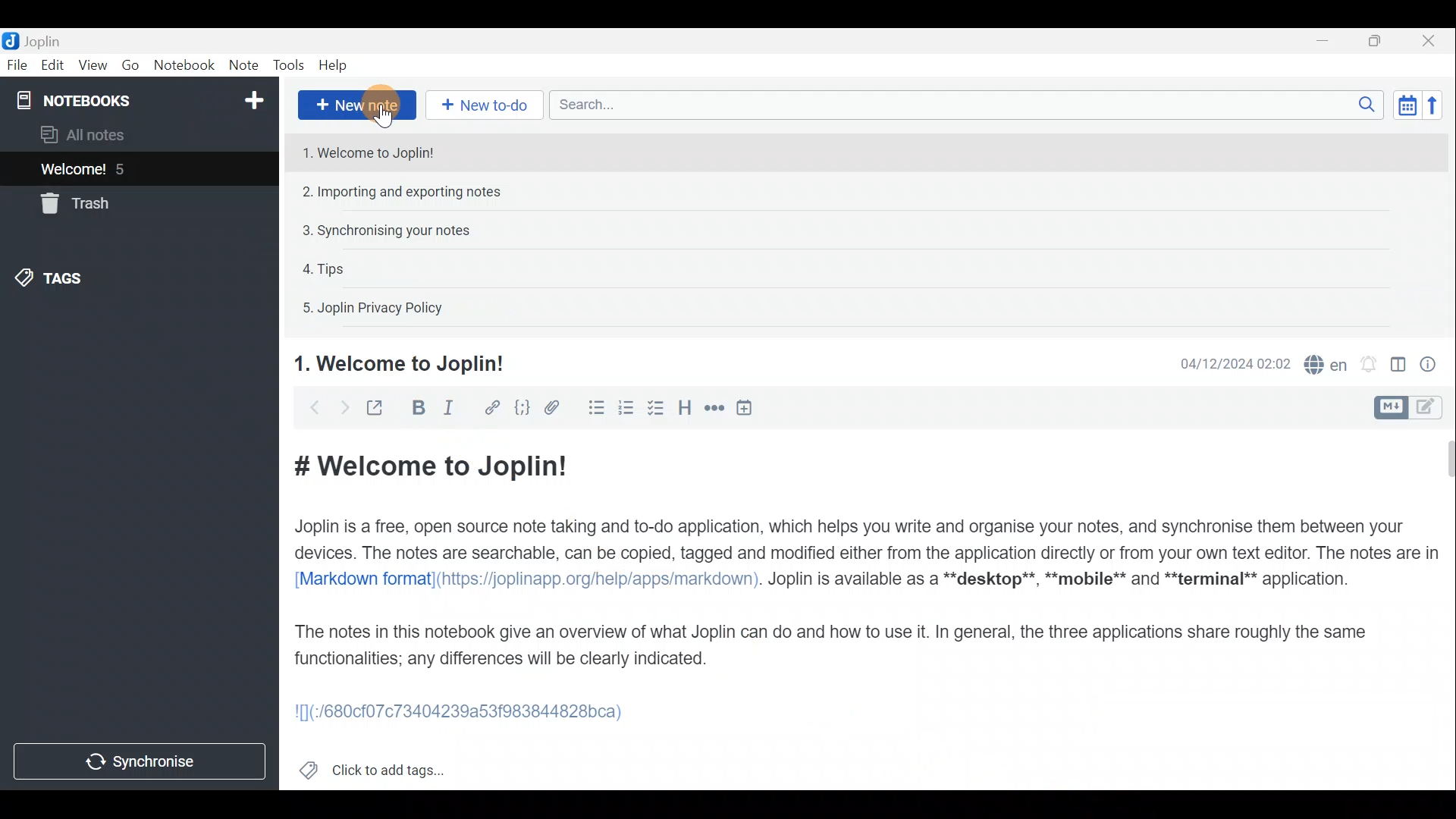 The width and height of the screenshot is (1456, 819). Describe the element at coordinates (393, 767) in the screenshot. I see `Click to add tags` at that location.